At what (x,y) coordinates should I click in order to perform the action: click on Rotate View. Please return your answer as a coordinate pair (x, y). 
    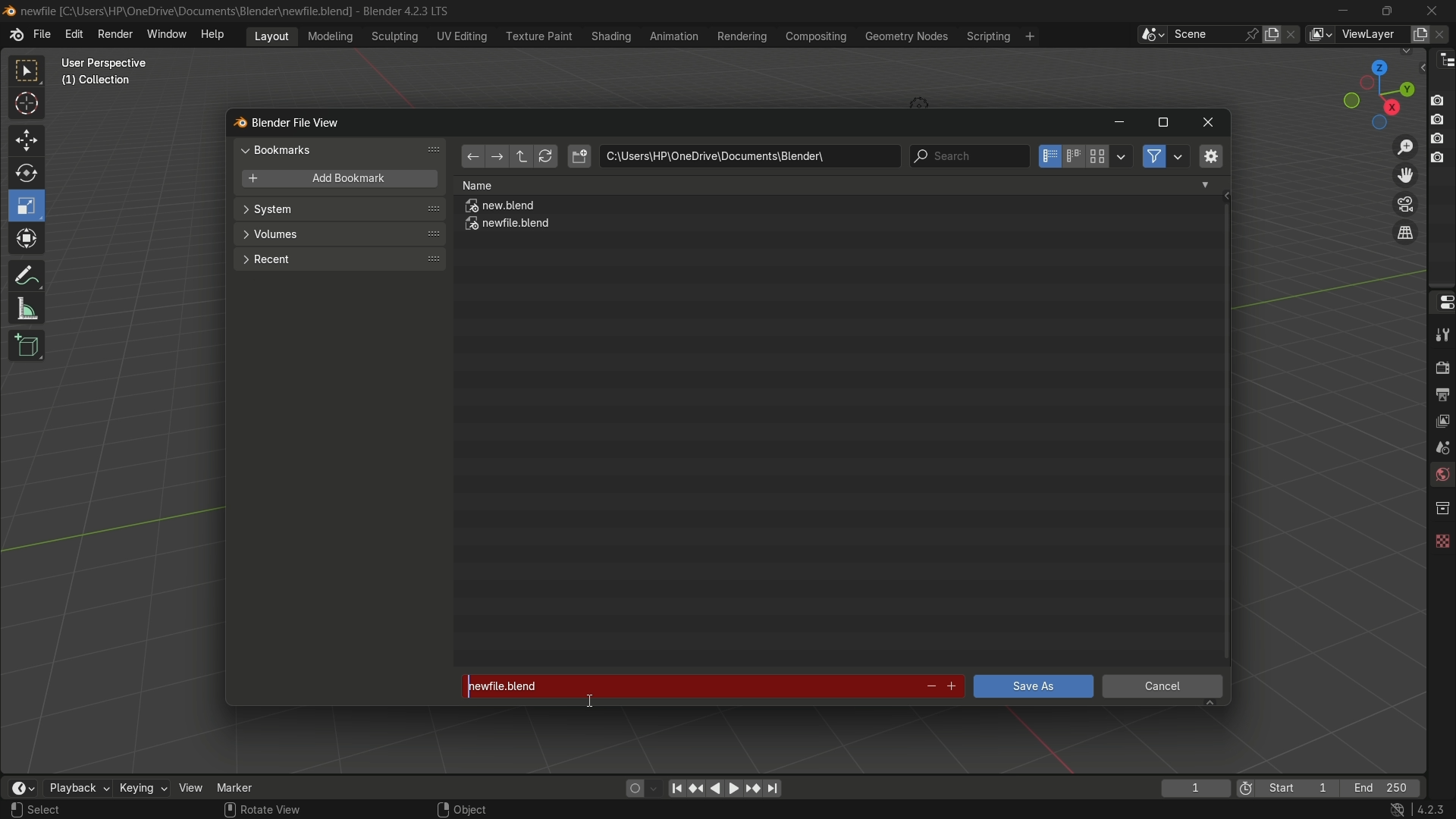
    Looking at the image, I should click on (262, 810).